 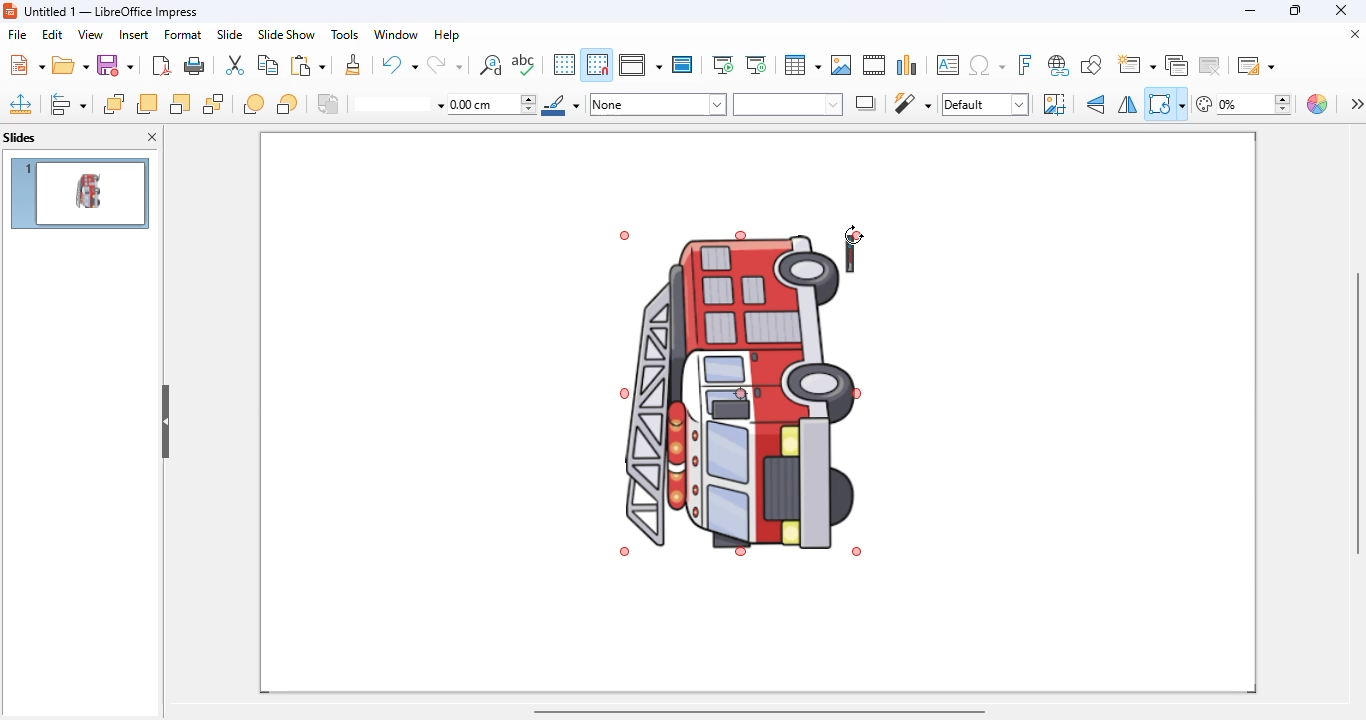 I want to click on vertical scroll bar, so click(x=1356, y=413).